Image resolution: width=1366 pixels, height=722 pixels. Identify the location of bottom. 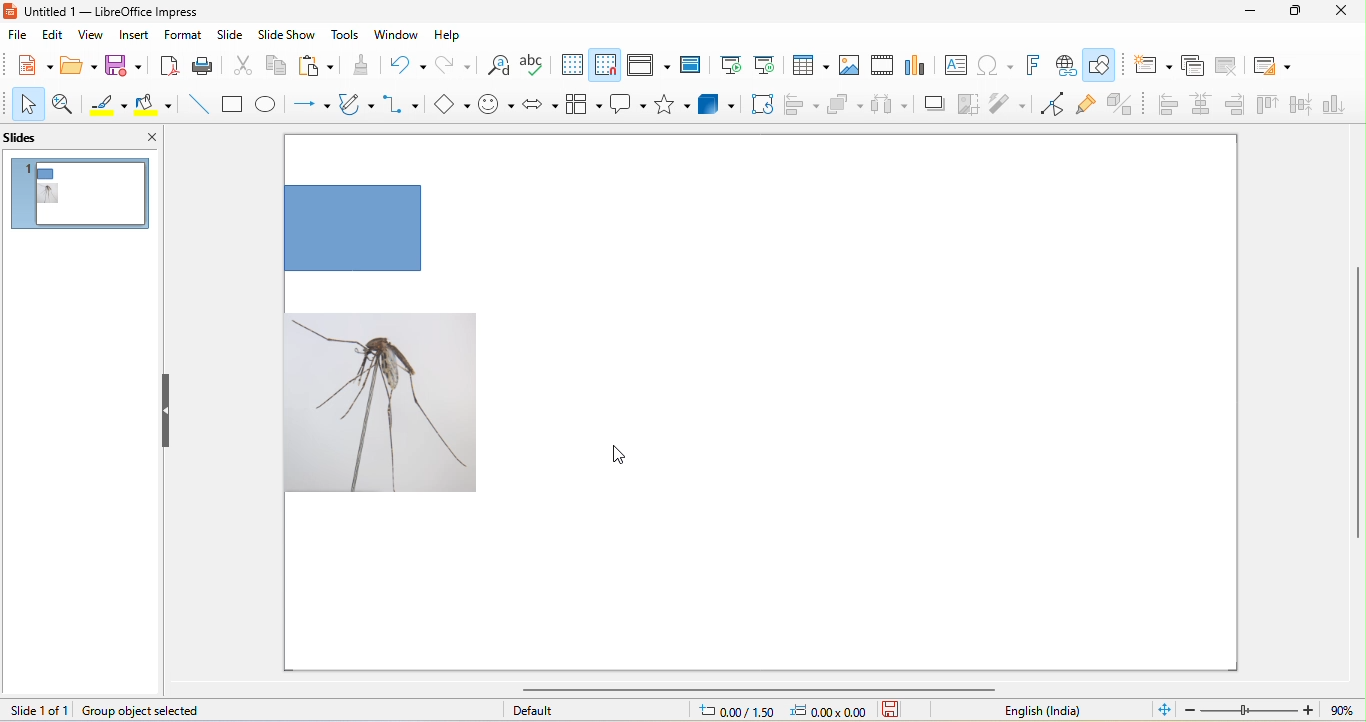
(1339, 109).